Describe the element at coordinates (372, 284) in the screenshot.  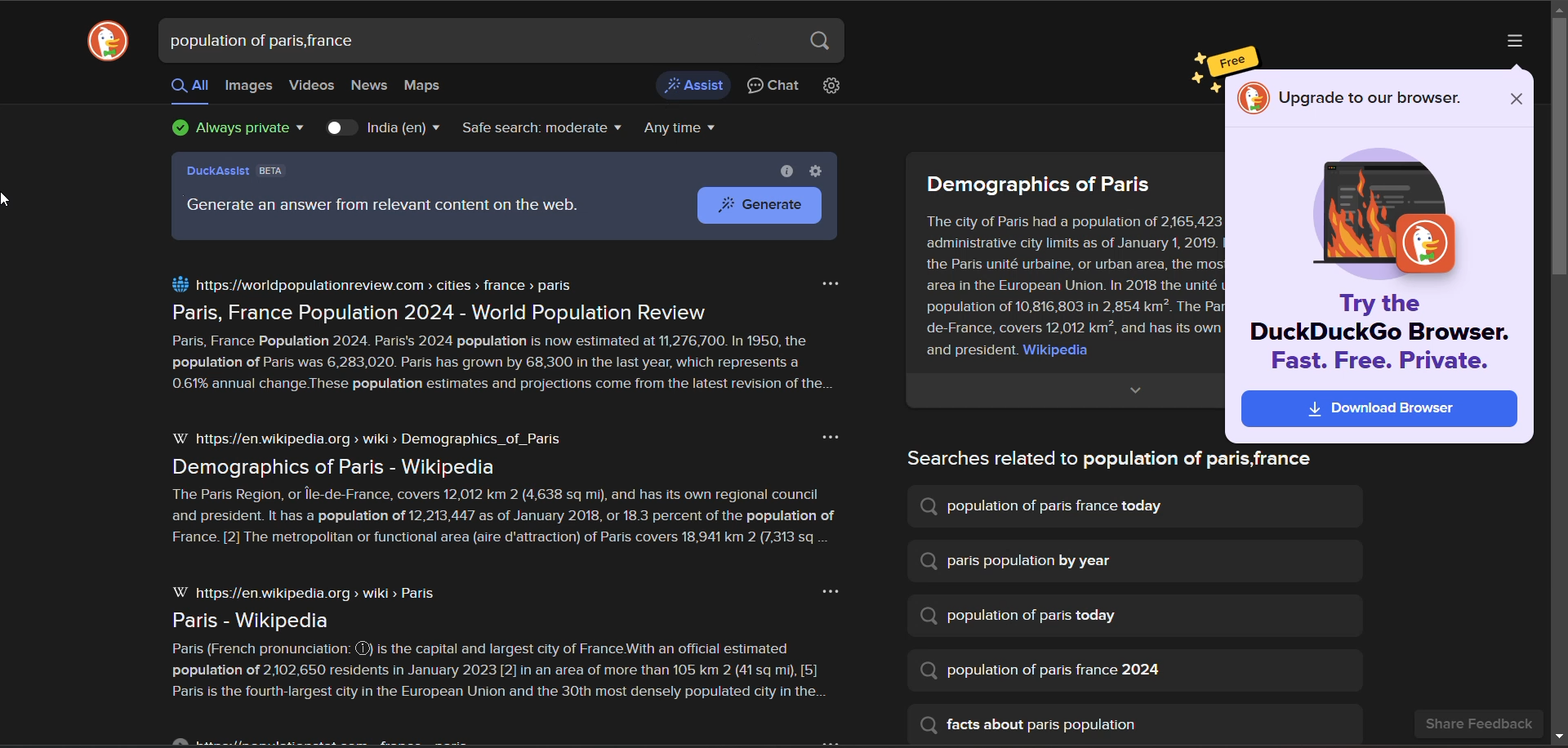
I see `## https://worldpopulationreview.com > cities > france > paris.` at that location.